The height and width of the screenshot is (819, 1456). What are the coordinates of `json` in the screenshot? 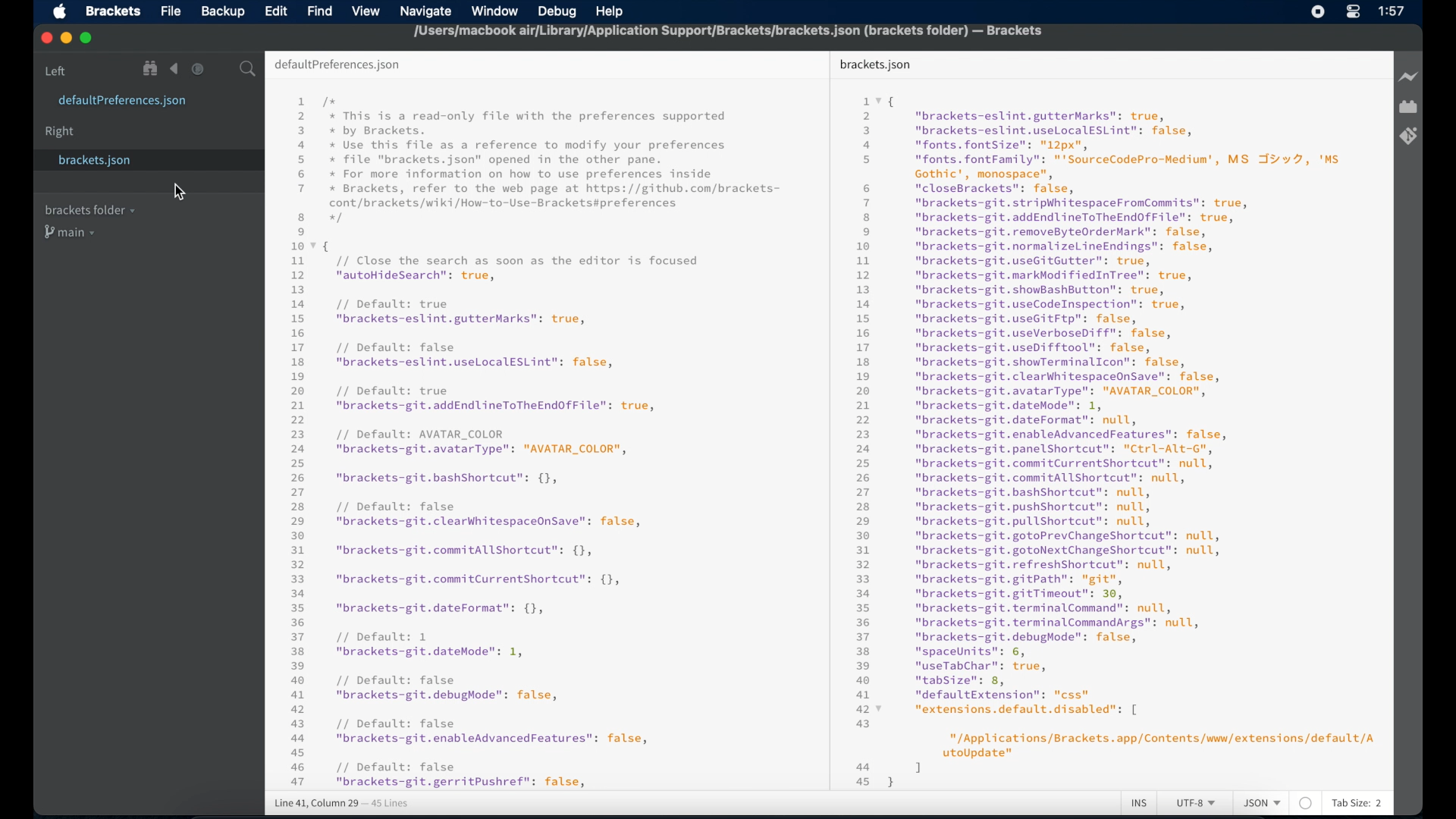 It's located at (1262, 804).